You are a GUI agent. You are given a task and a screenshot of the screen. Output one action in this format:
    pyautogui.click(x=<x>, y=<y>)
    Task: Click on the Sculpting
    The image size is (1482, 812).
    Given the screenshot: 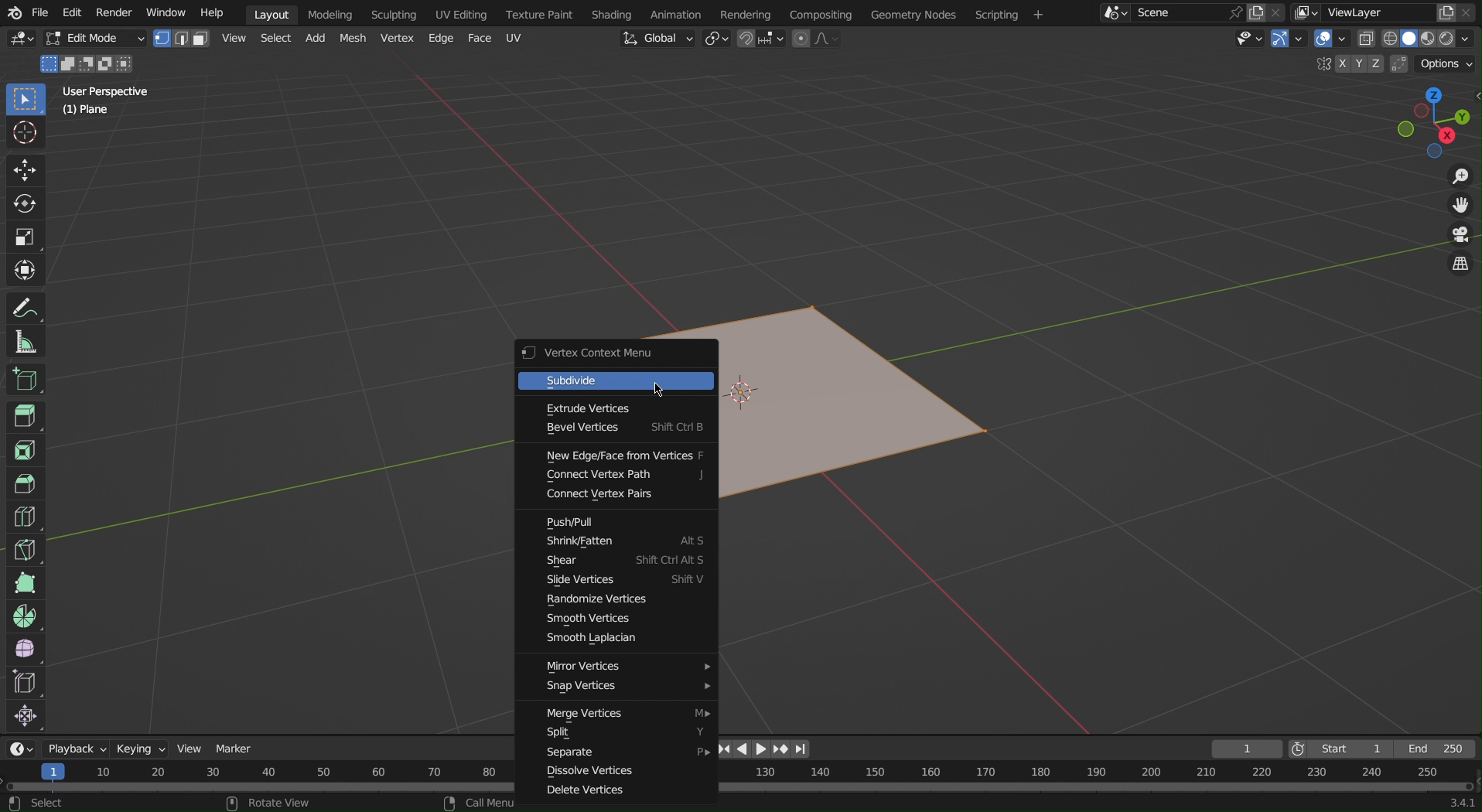 What is the action you would take?
    pyautogui.click(x=394, y=13)
    